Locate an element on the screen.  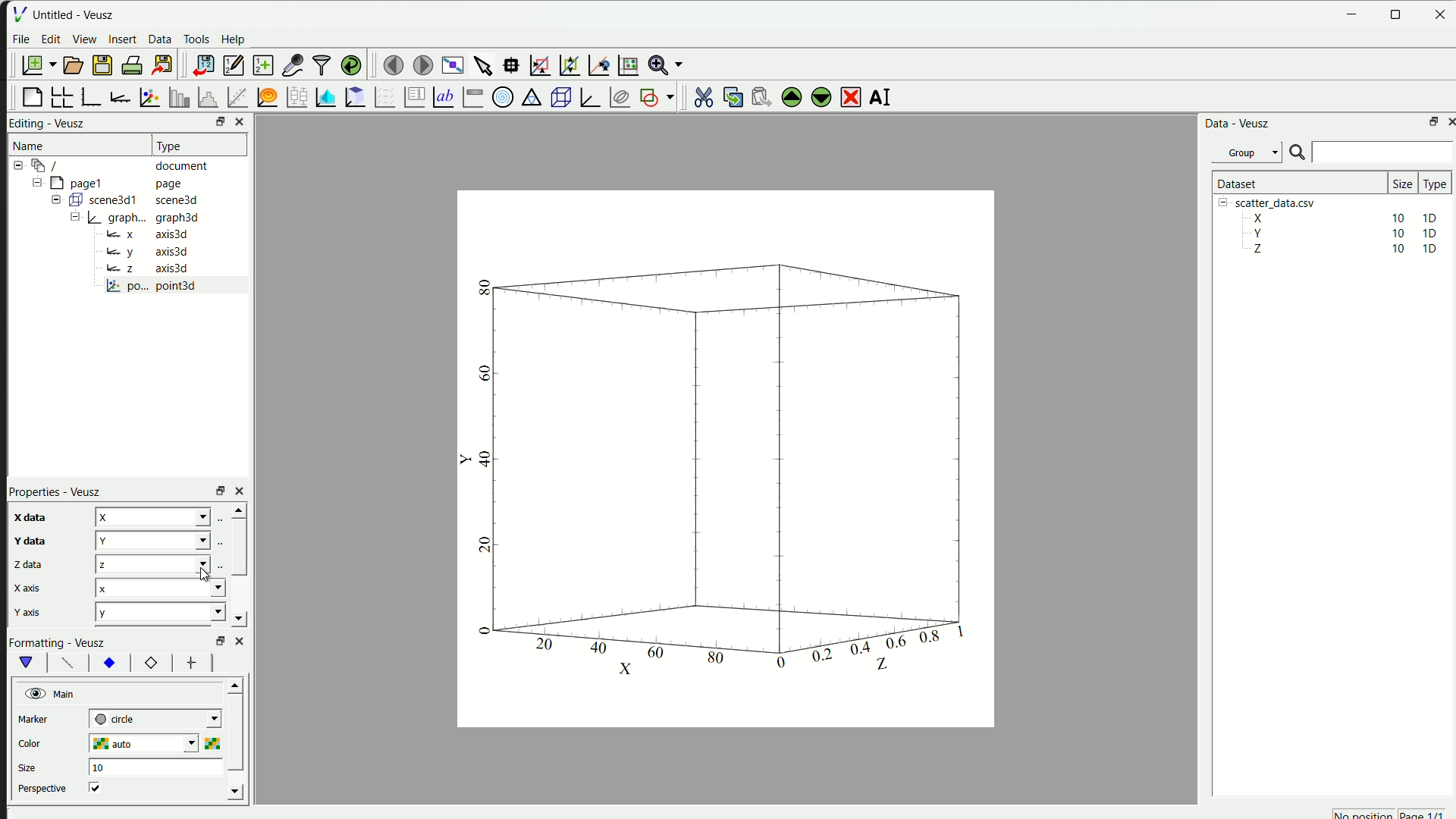
x axis is located at coordinates (28, 588).